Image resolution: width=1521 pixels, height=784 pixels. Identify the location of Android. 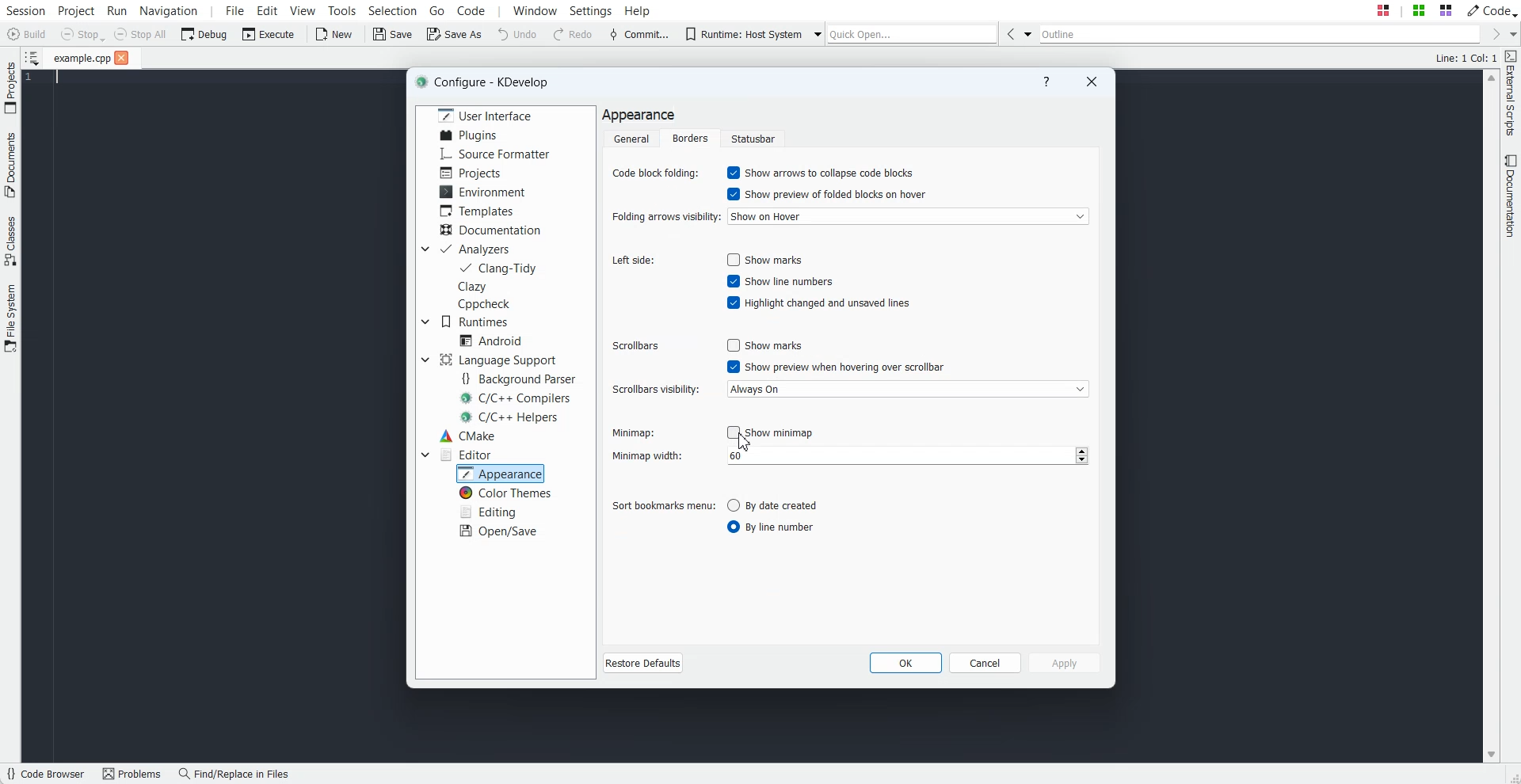
(491, 341).